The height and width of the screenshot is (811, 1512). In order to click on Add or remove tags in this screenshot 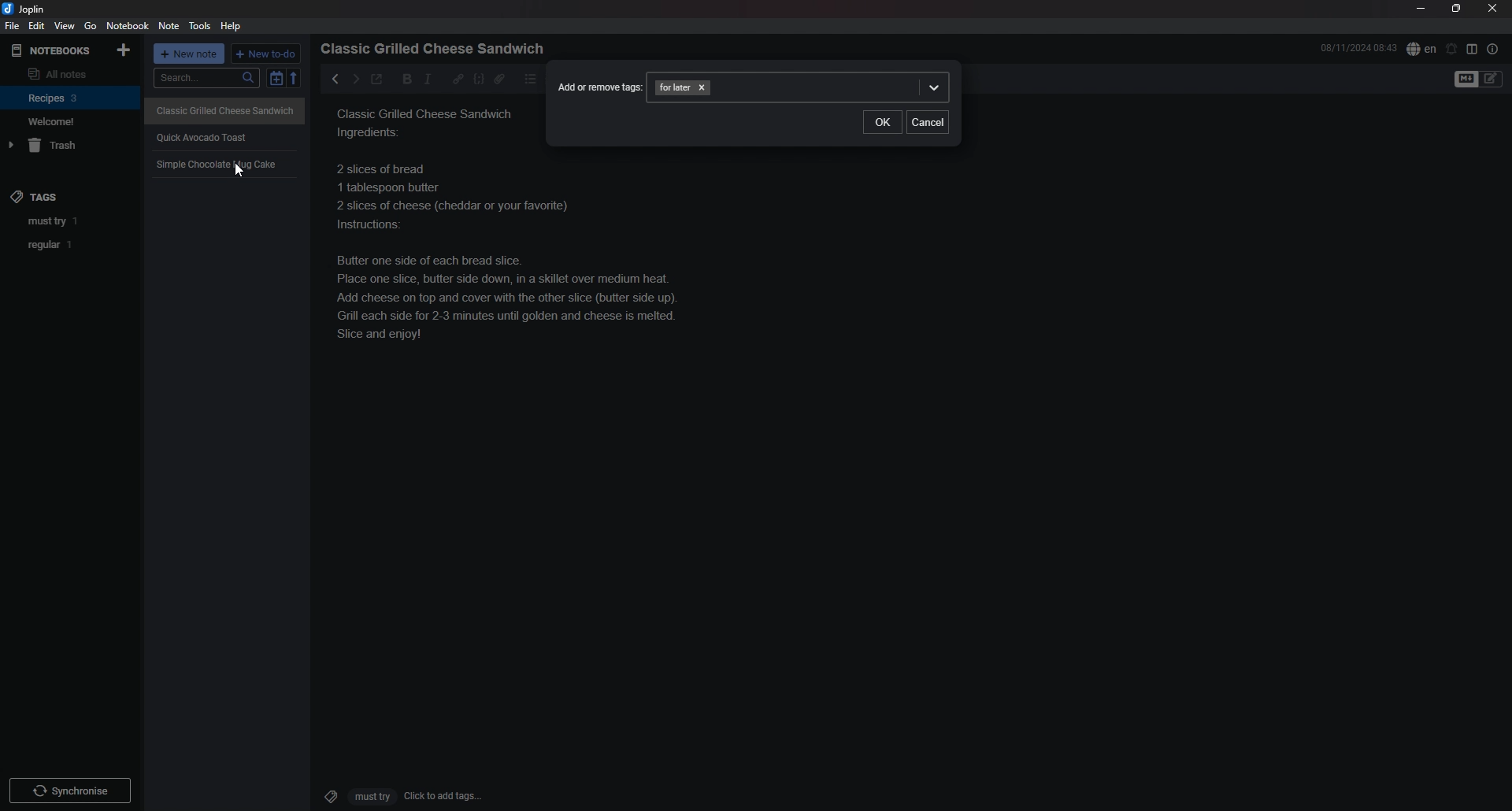, I will do `click(597, 85)`.